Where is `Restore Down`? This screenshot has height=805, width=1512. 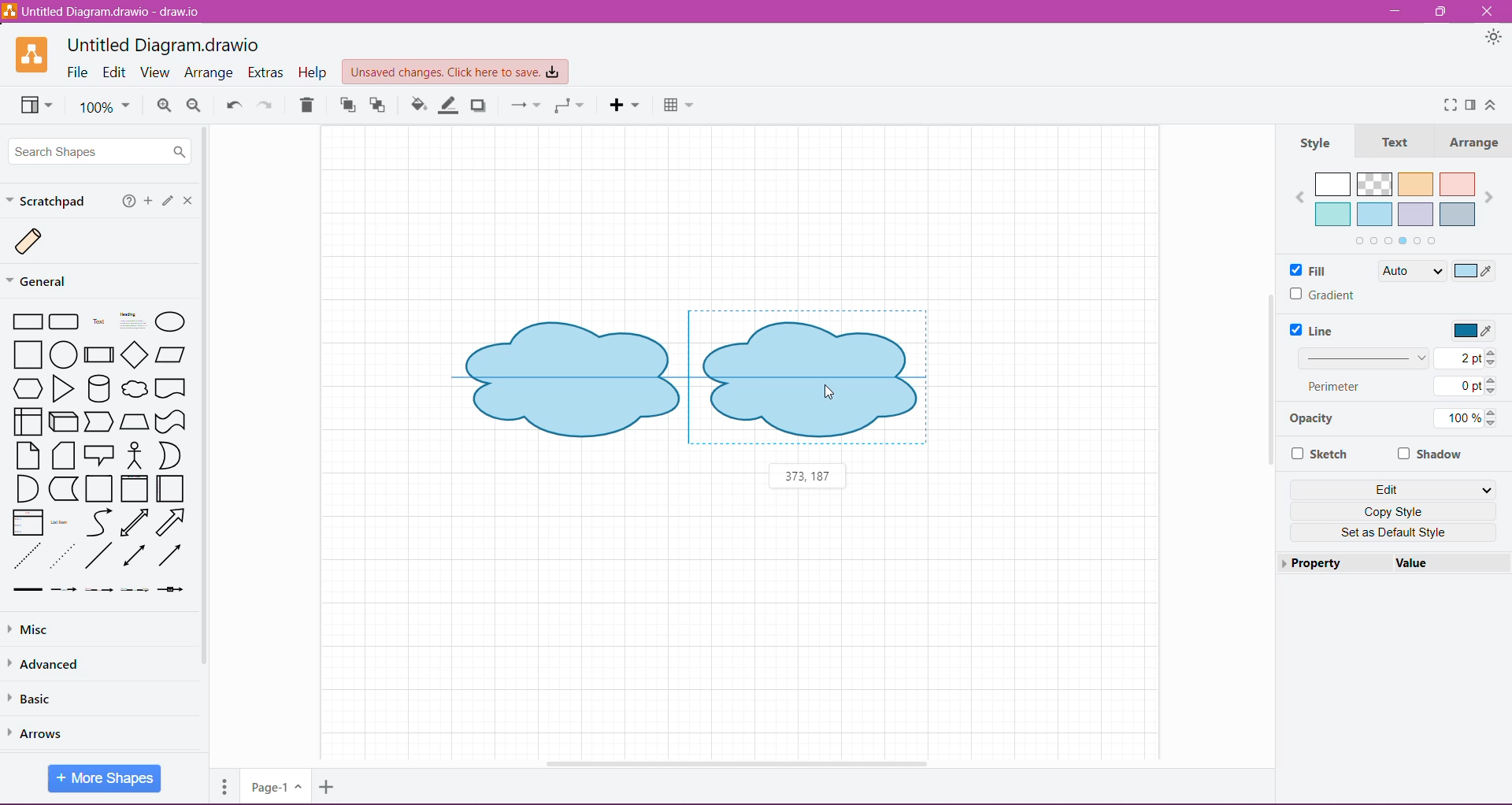 Restore Down is located at coordinates (1443, 12).